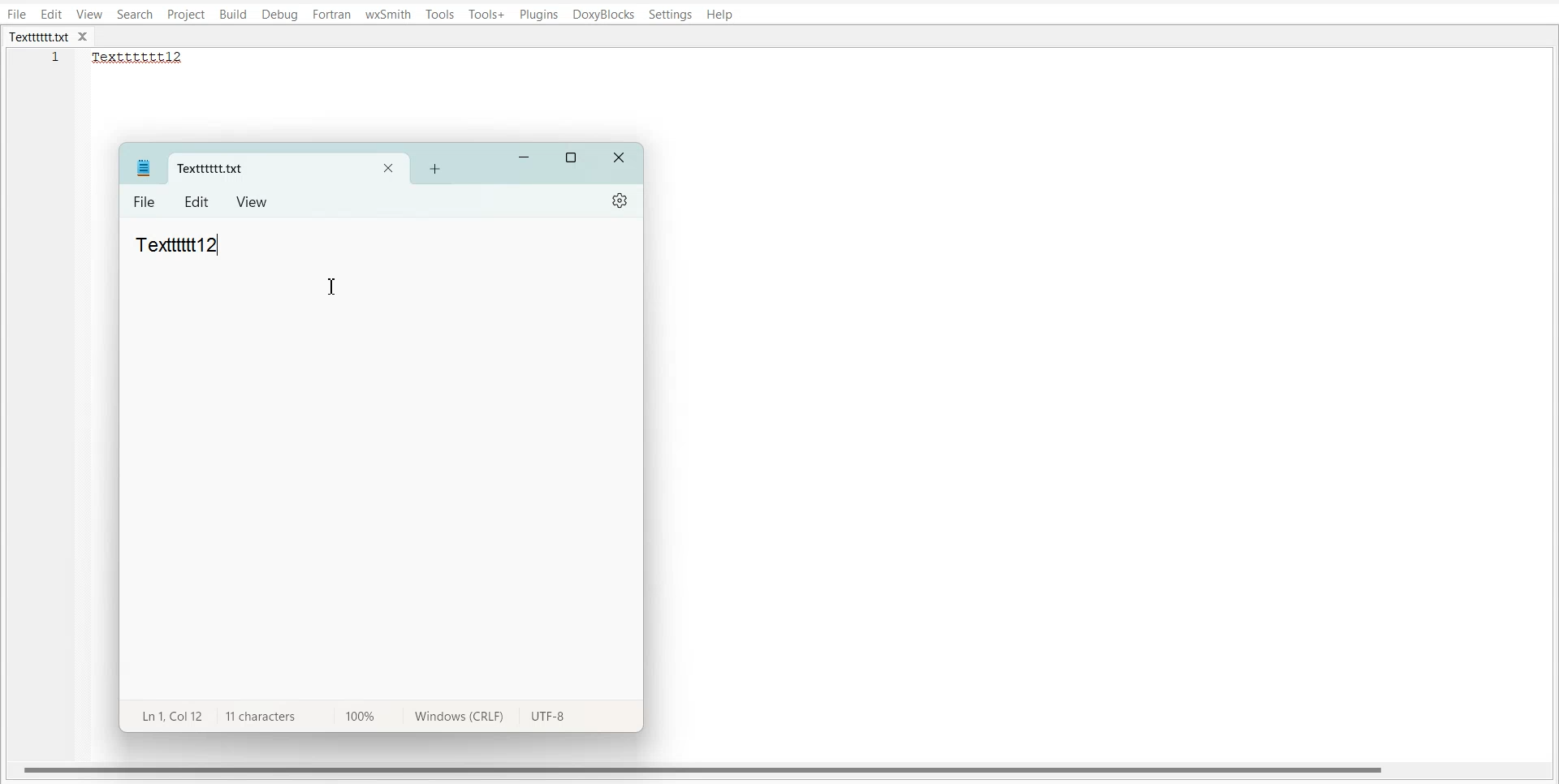 The width and height of the screenshot is (1559, 784). Describe the element at coordinates (136, 14) in the screenshot. I see `Search` at that location.